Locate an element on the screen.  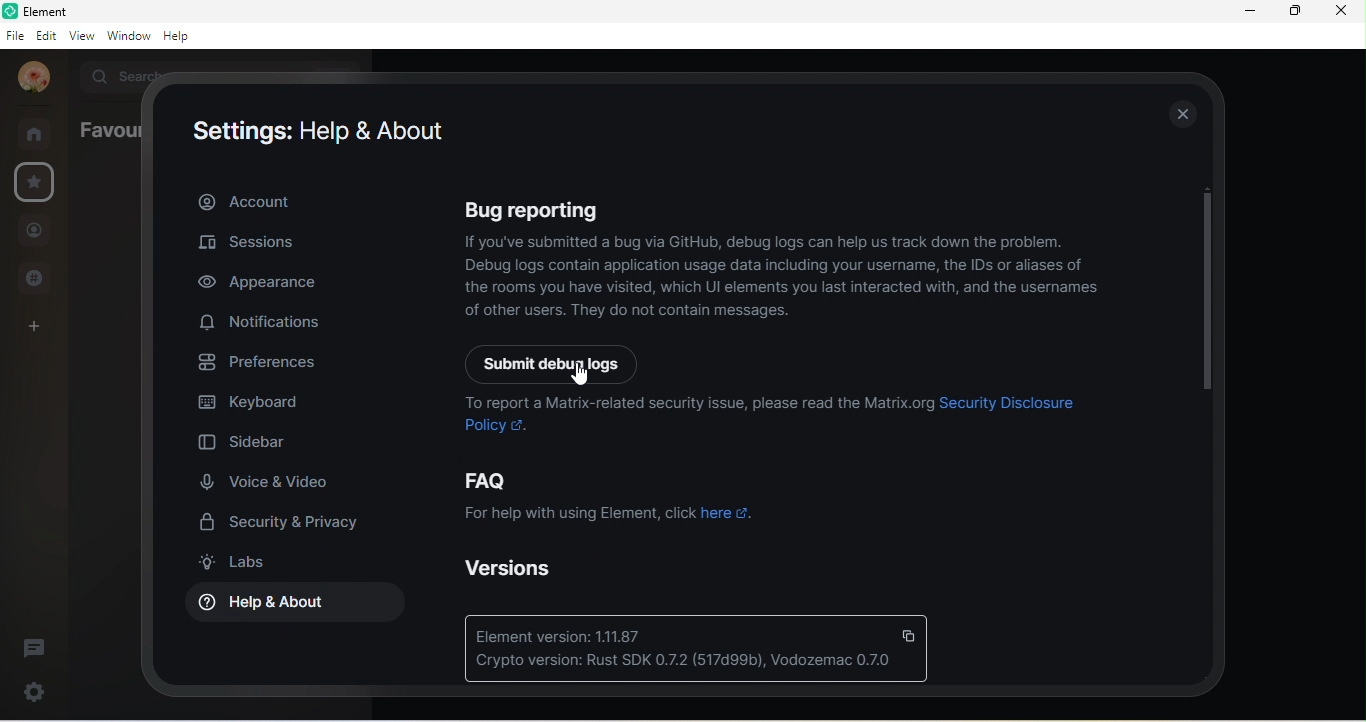
settings: Help & About is located at coordinates (316, 132).